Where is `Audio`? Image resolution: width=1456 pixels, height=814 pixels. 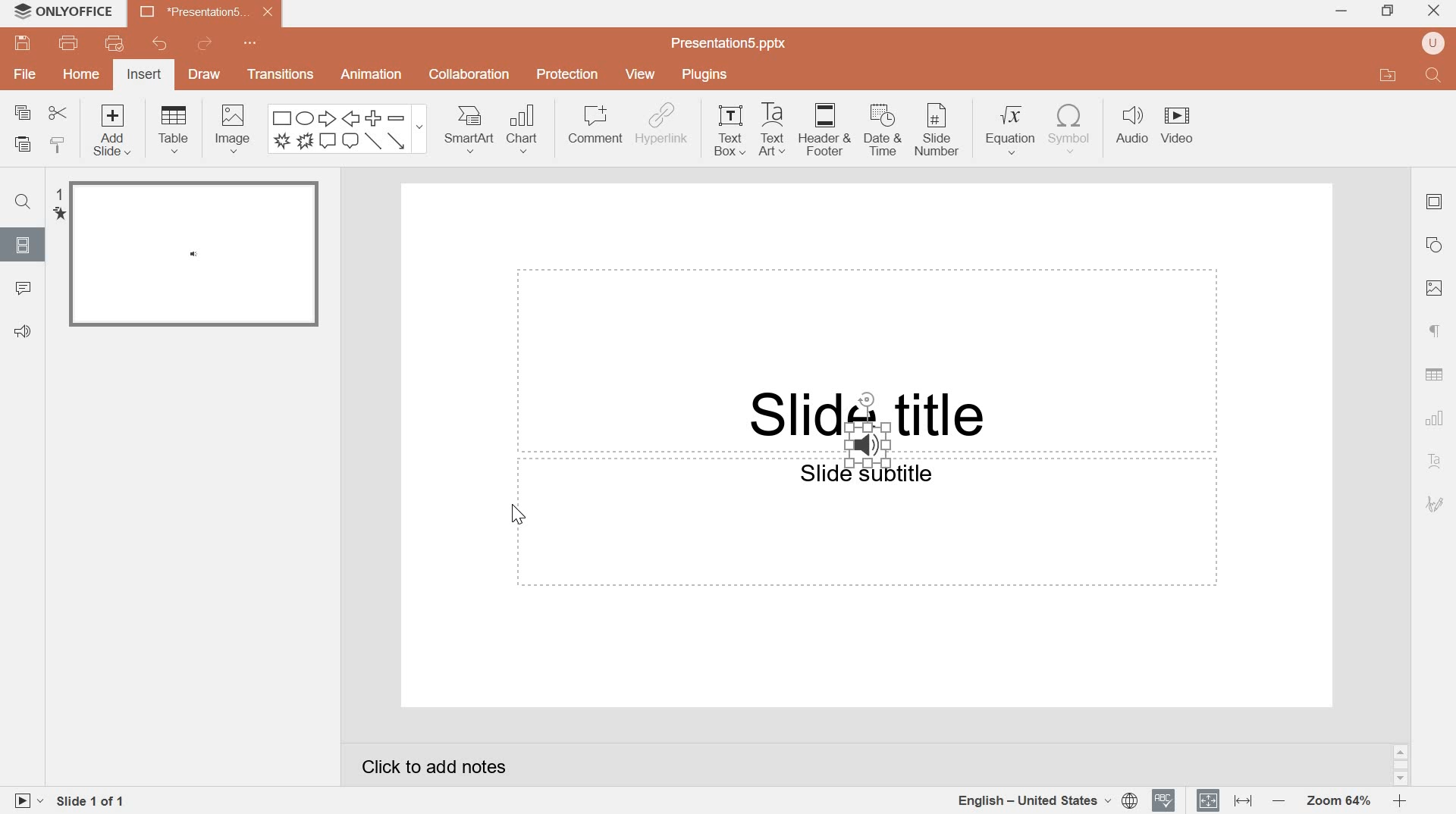
Audio is located at coordinates (1129, 124).